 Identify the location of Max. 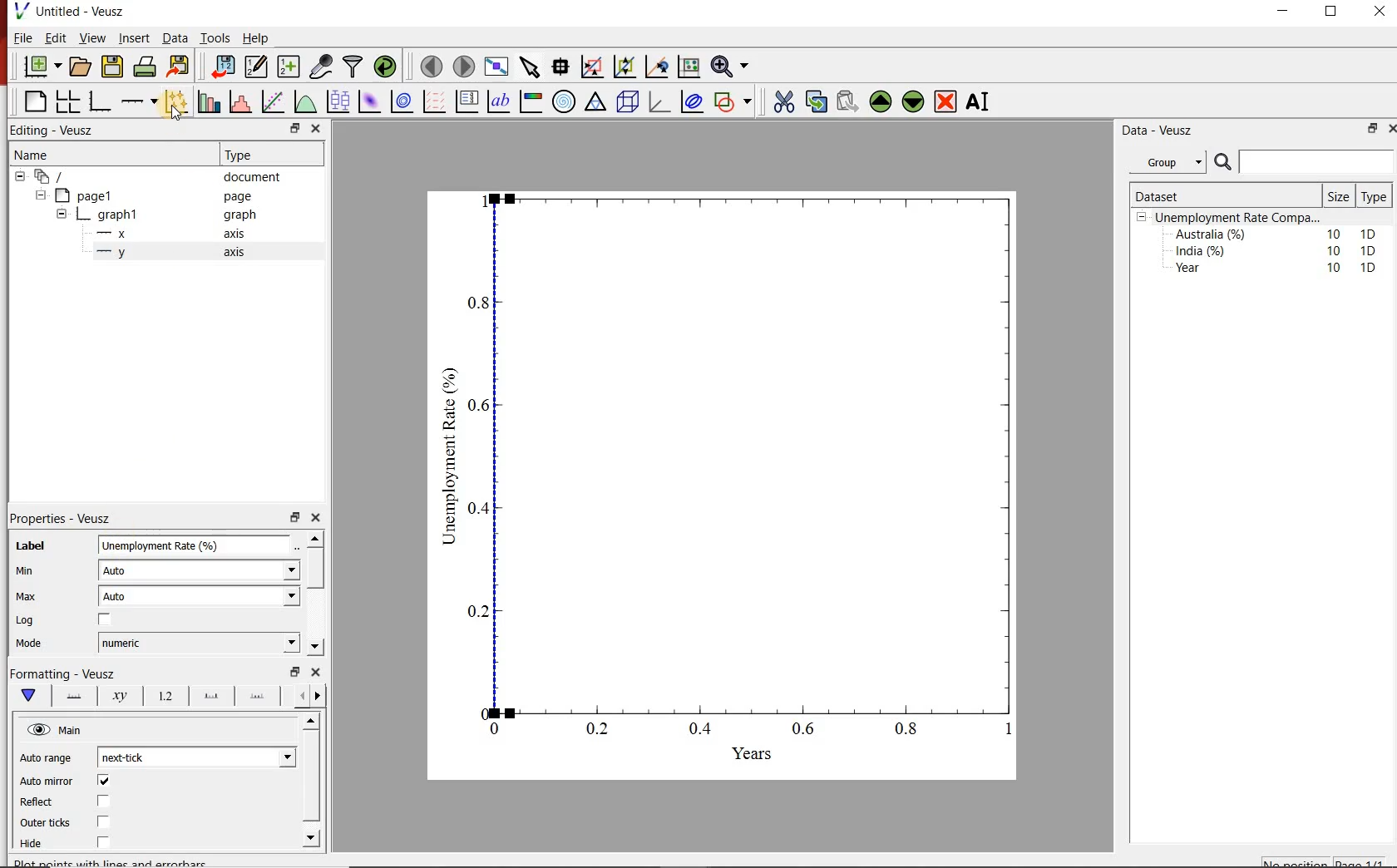
(34, 598).